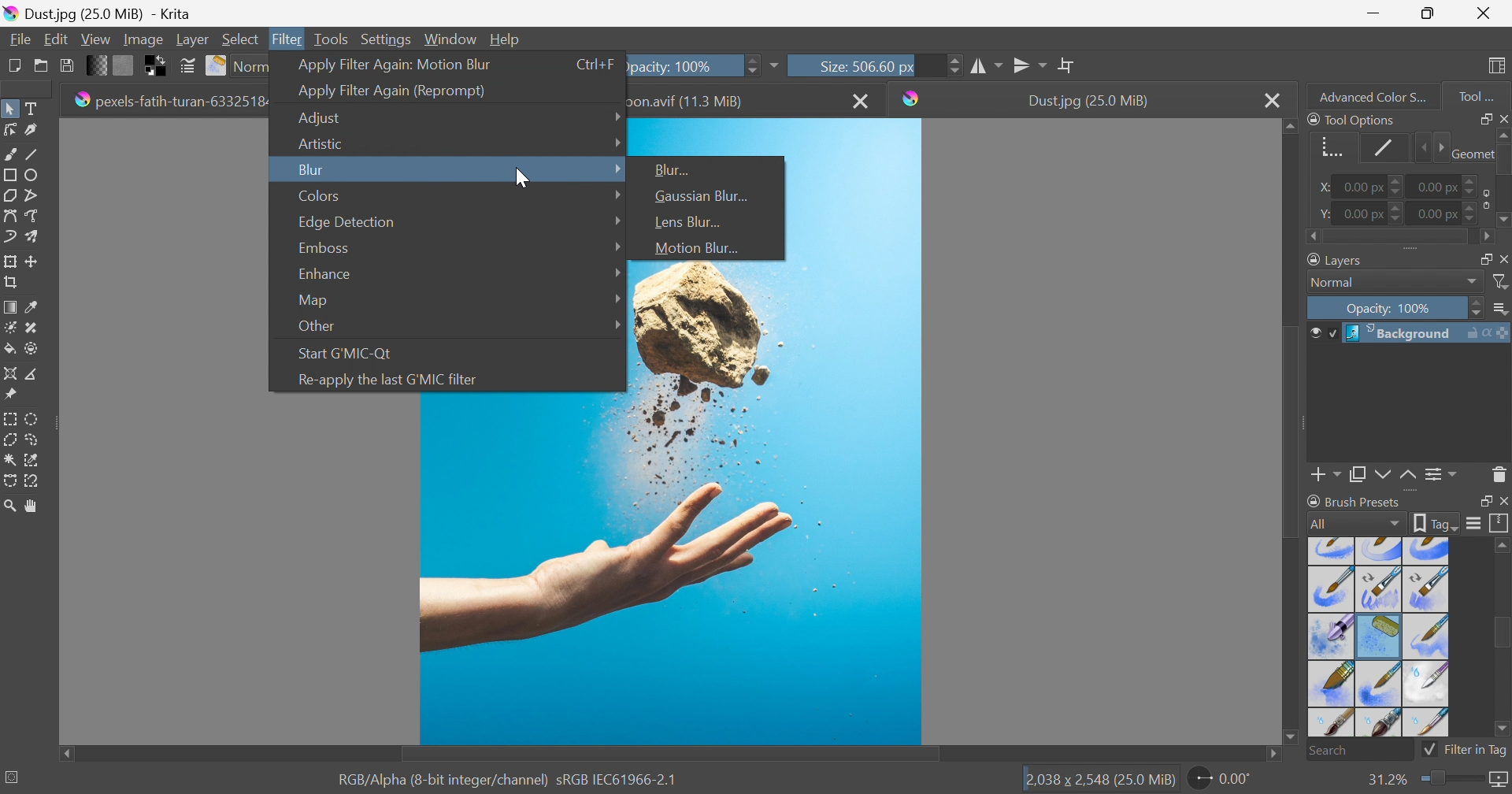 This screenshot has width=1512, height=794. I want to click on Tool Options, so click(1351, 119).